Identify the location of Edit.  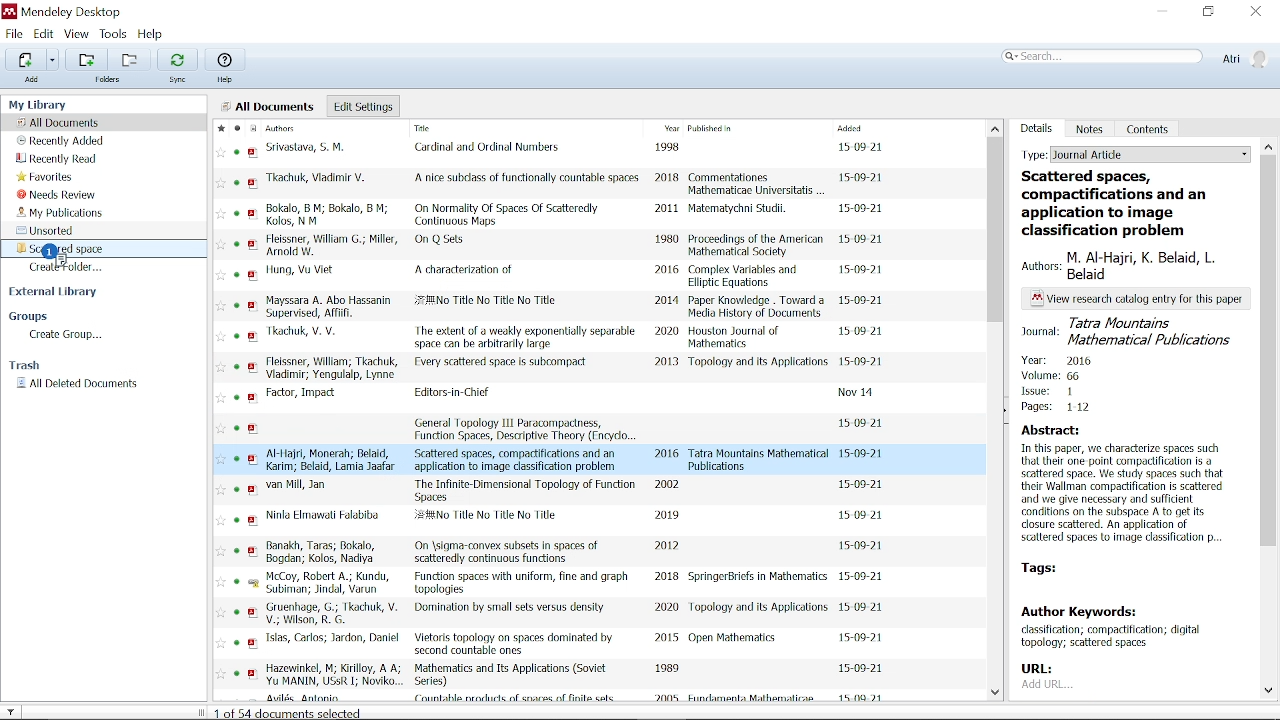
(44, 34).